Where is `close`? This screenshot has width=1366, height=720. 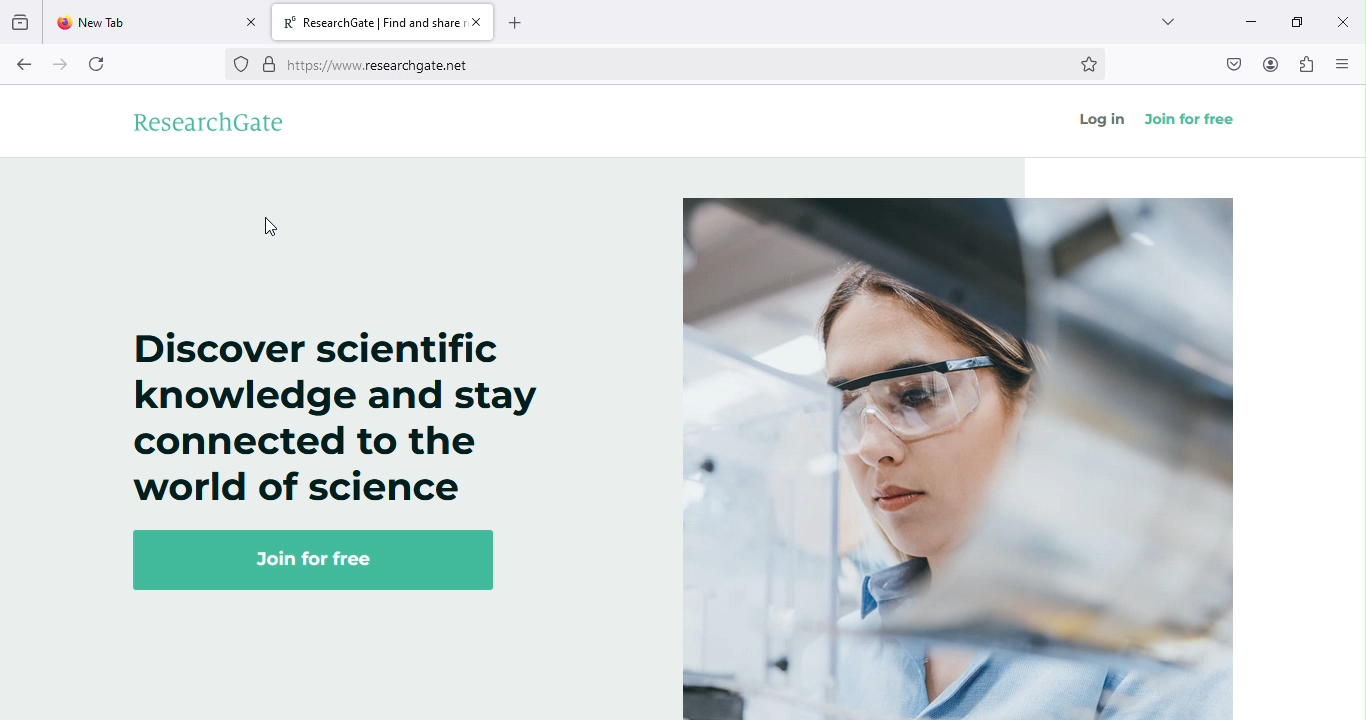
close is located at coordinates (250, 24).